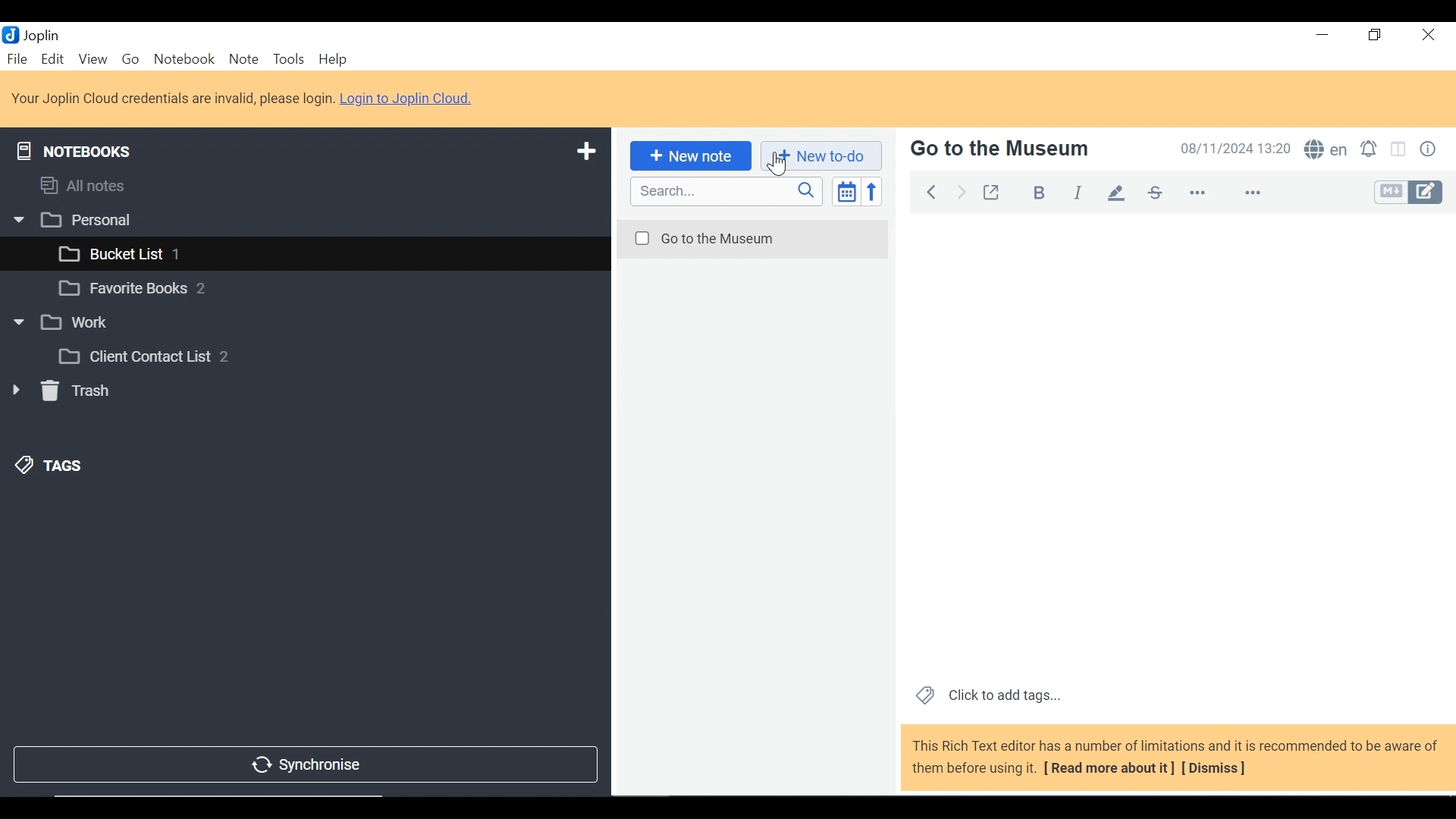 This screenshot has height=819, width=1456. I want to click on Trash, so click(61, 394).